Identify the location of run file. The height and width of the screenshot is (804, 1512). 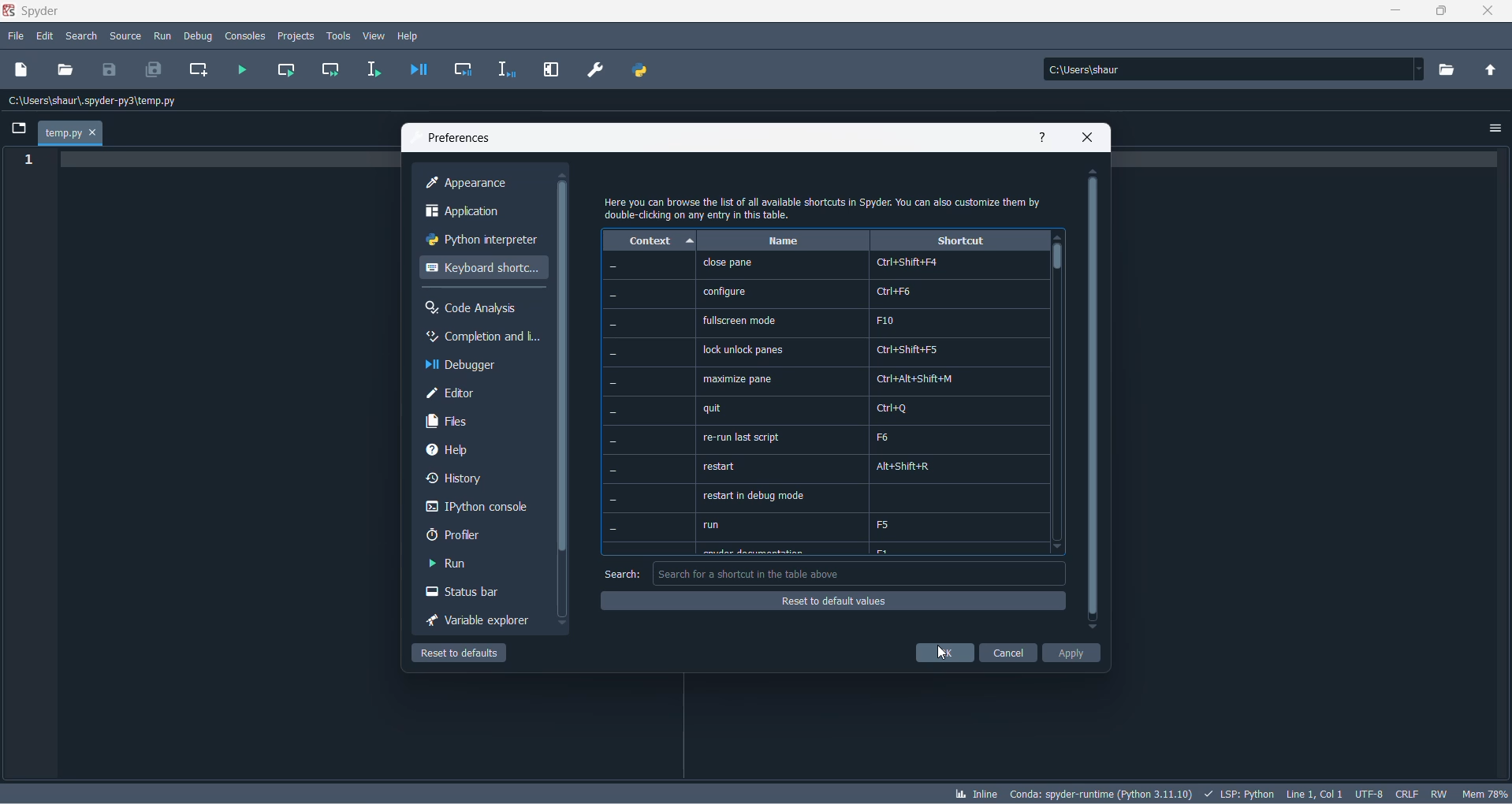
(243, 70).